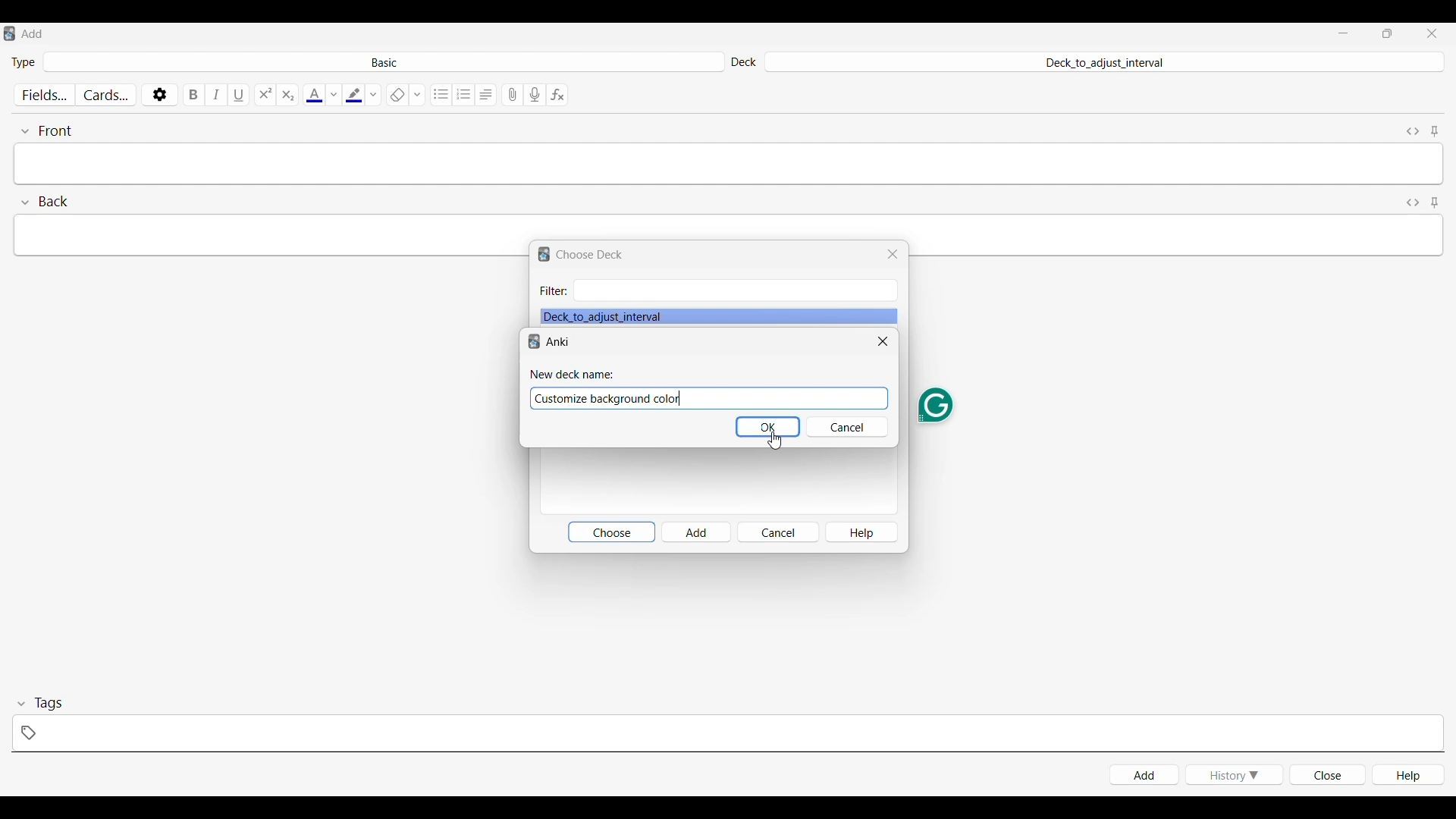  I want to click on Show interface in smaller tab, so click(1388, 33).